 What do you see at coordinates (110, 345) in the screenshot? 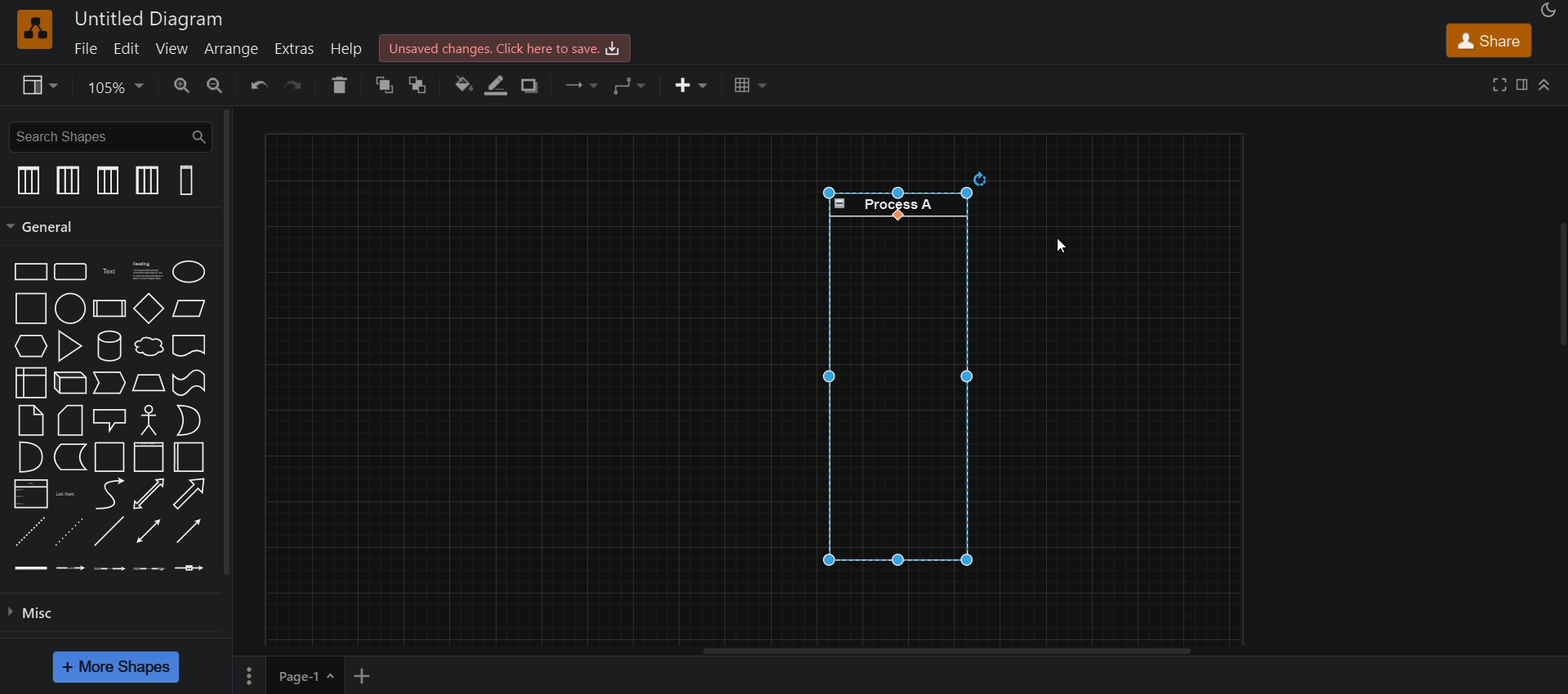
I see `cylinder` at bounding box center [110, 345].